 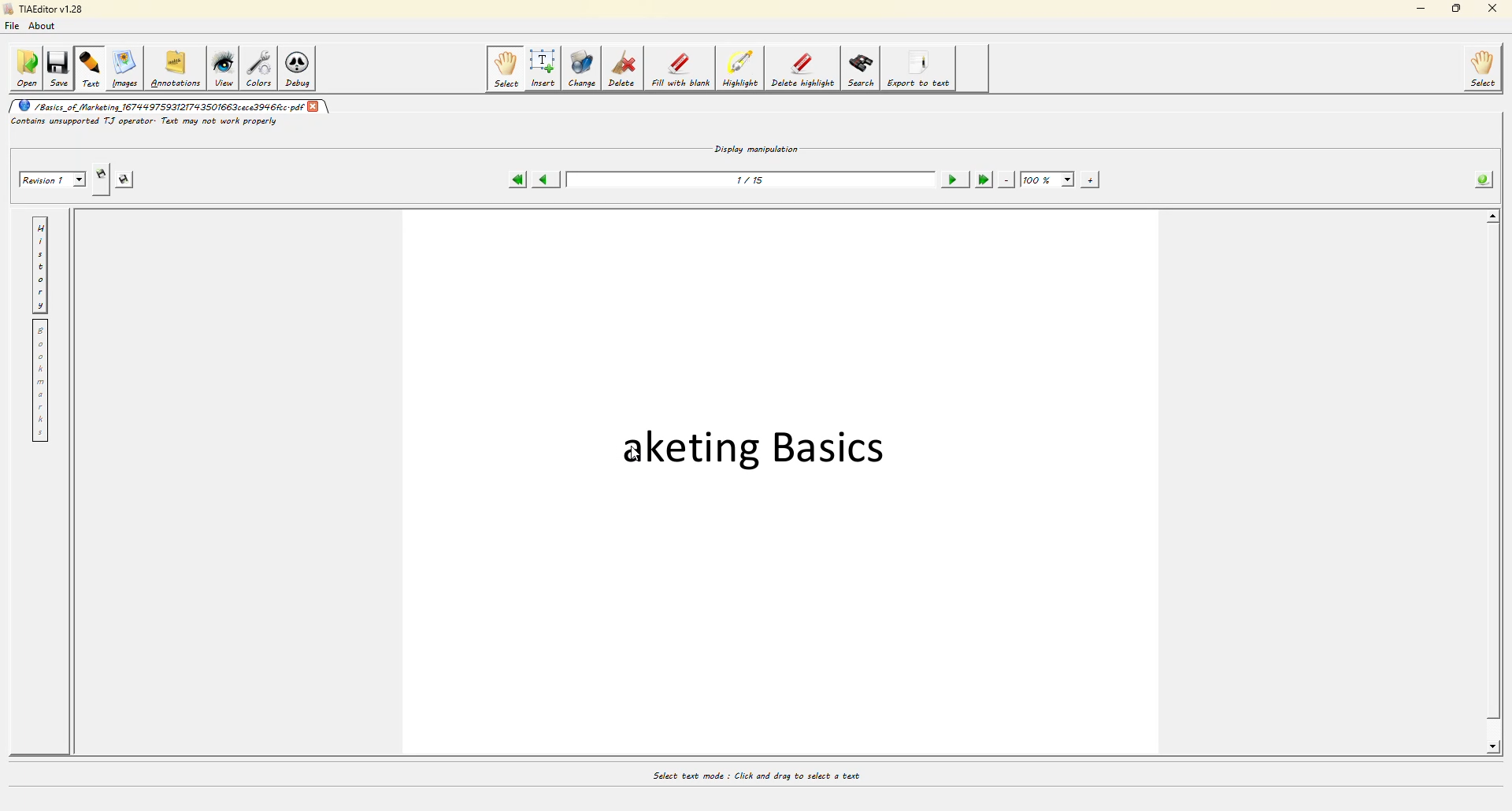 I want to click on highight, so click(x=739, y=69).